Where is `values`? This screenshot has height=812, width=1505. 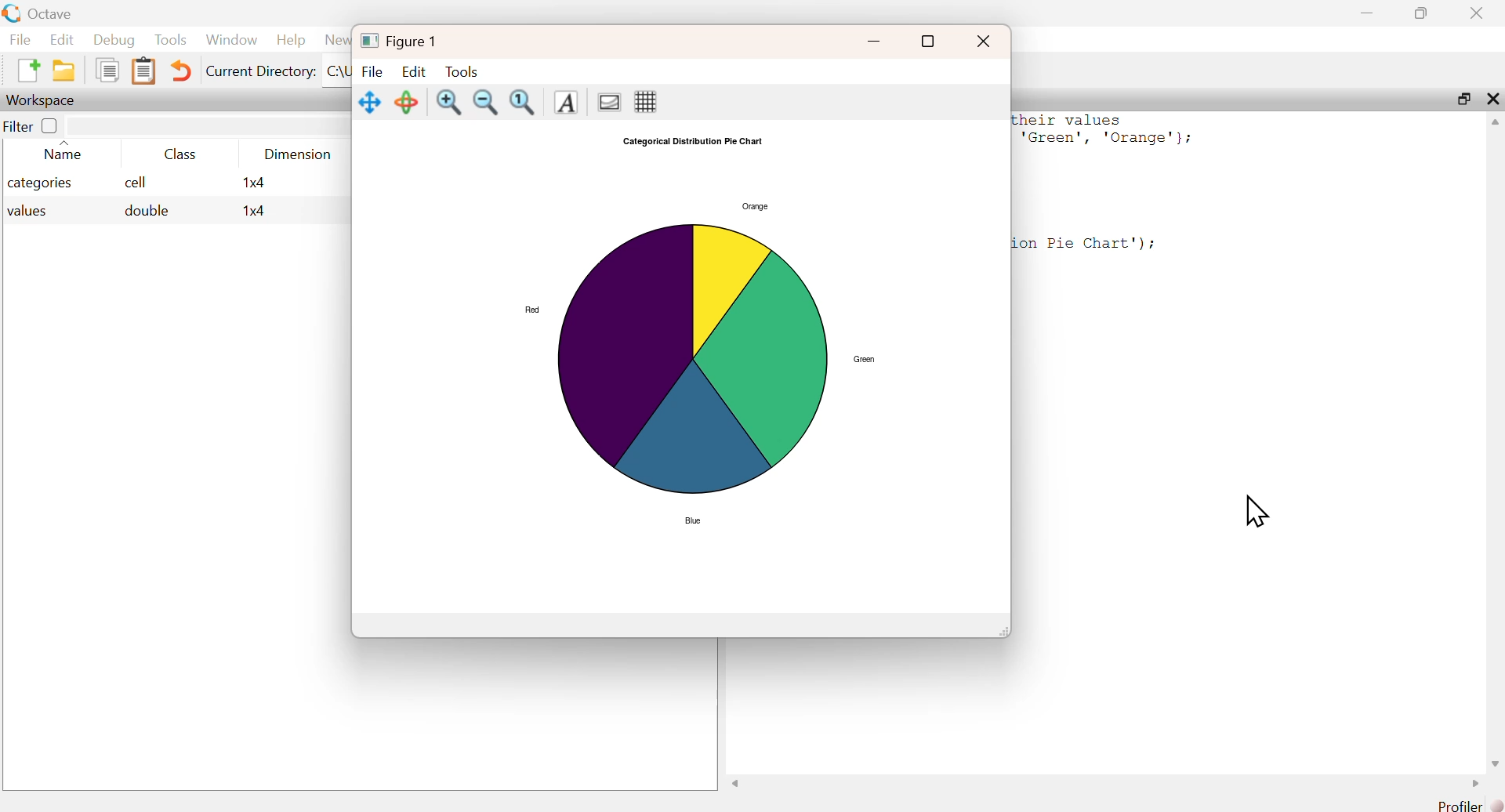
values is located at coordinates (29, 212).